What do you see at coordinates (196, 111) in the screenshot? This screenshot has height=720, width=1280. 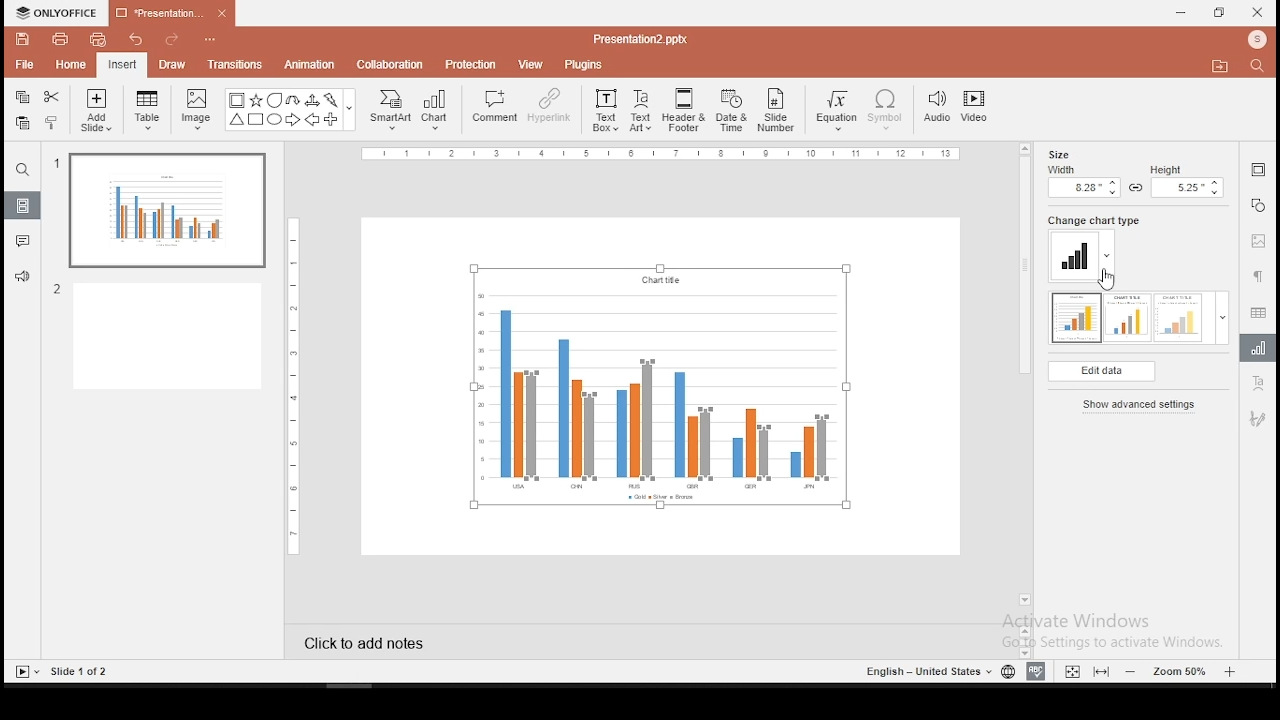 I see `image` at bounding box center [196, 111].